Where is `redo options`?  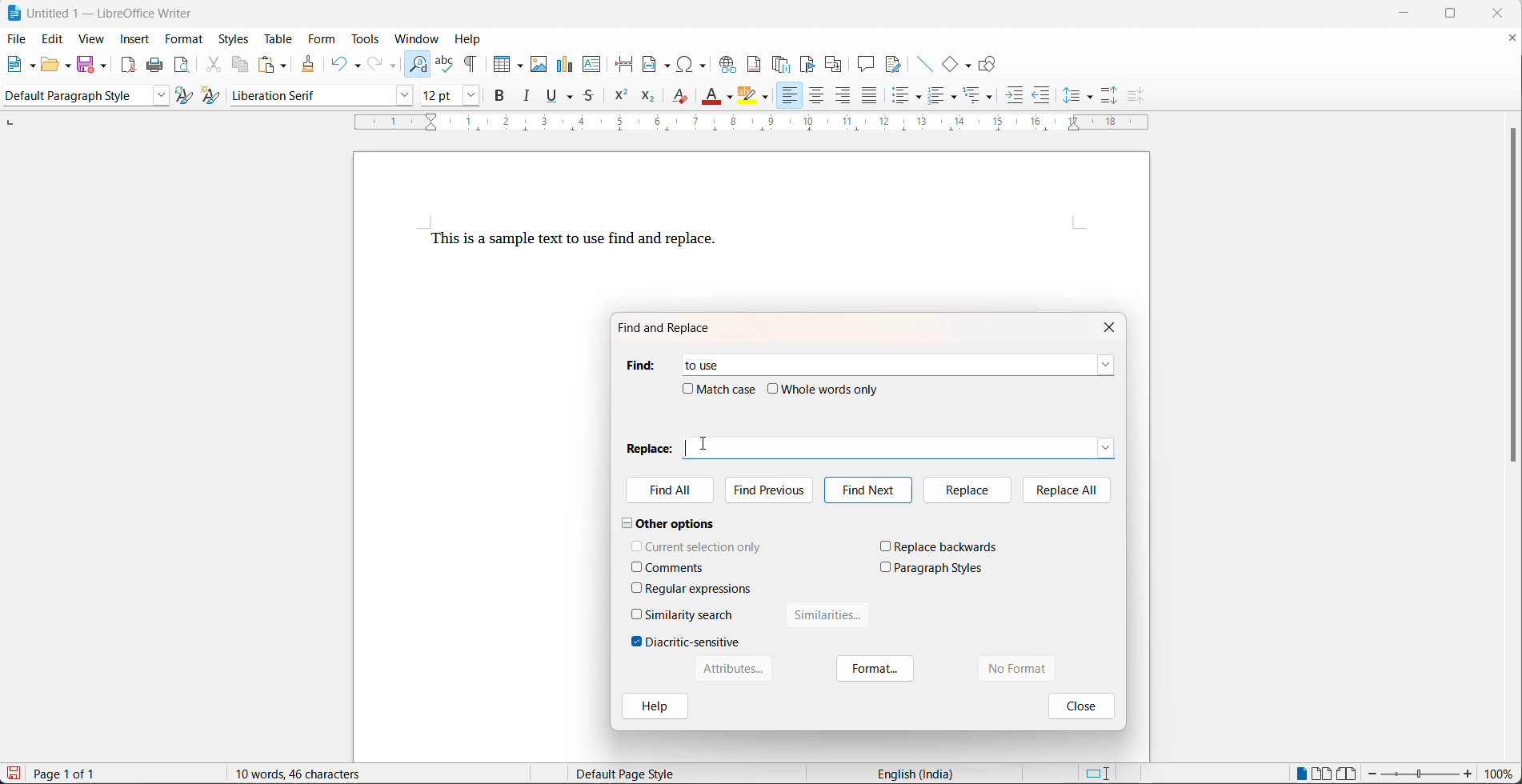
redo options is located at coordinates (394, 66).